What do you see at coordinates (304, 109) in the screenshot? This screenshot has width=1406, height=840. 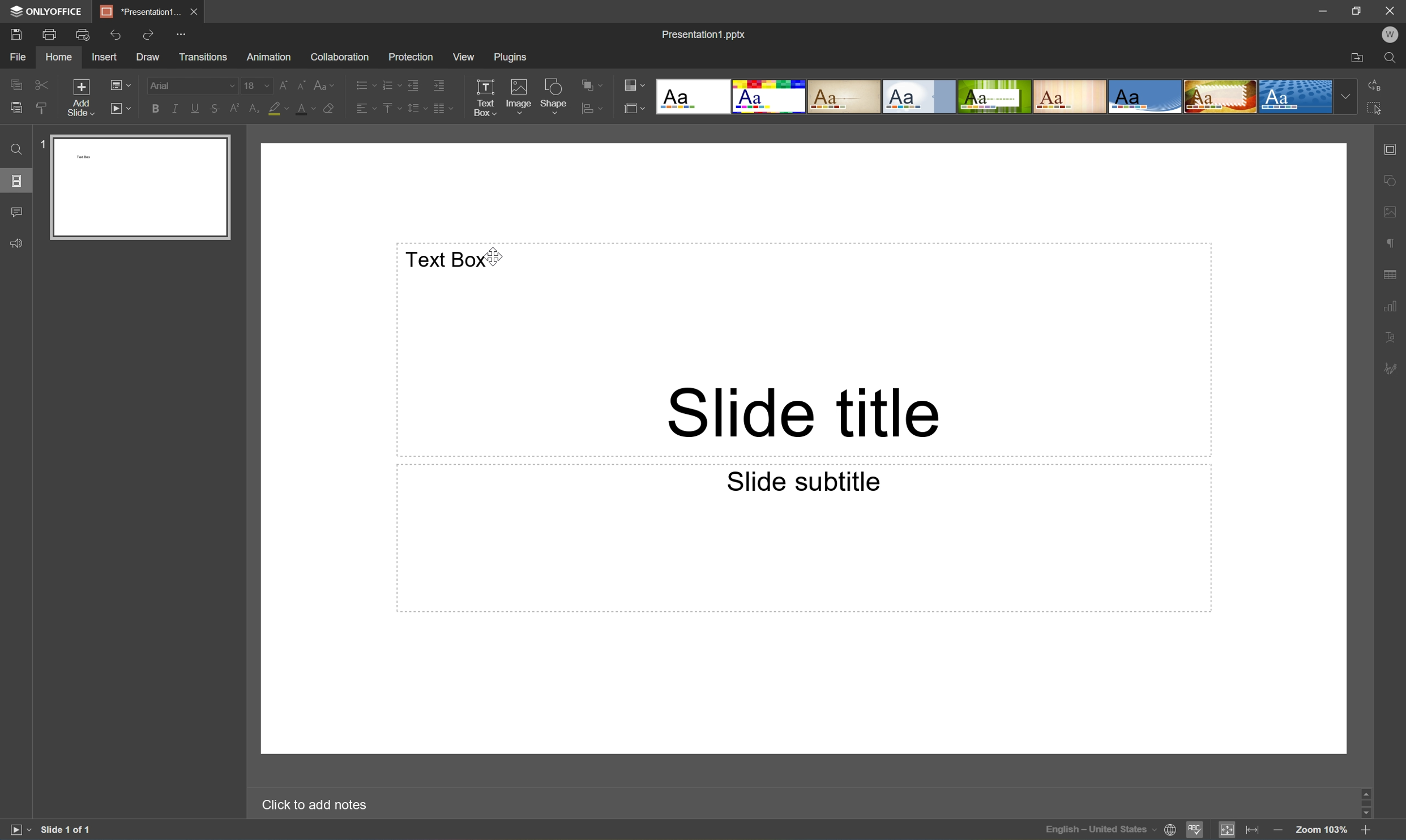 I see `Font color` at bounding box center [304, 109].